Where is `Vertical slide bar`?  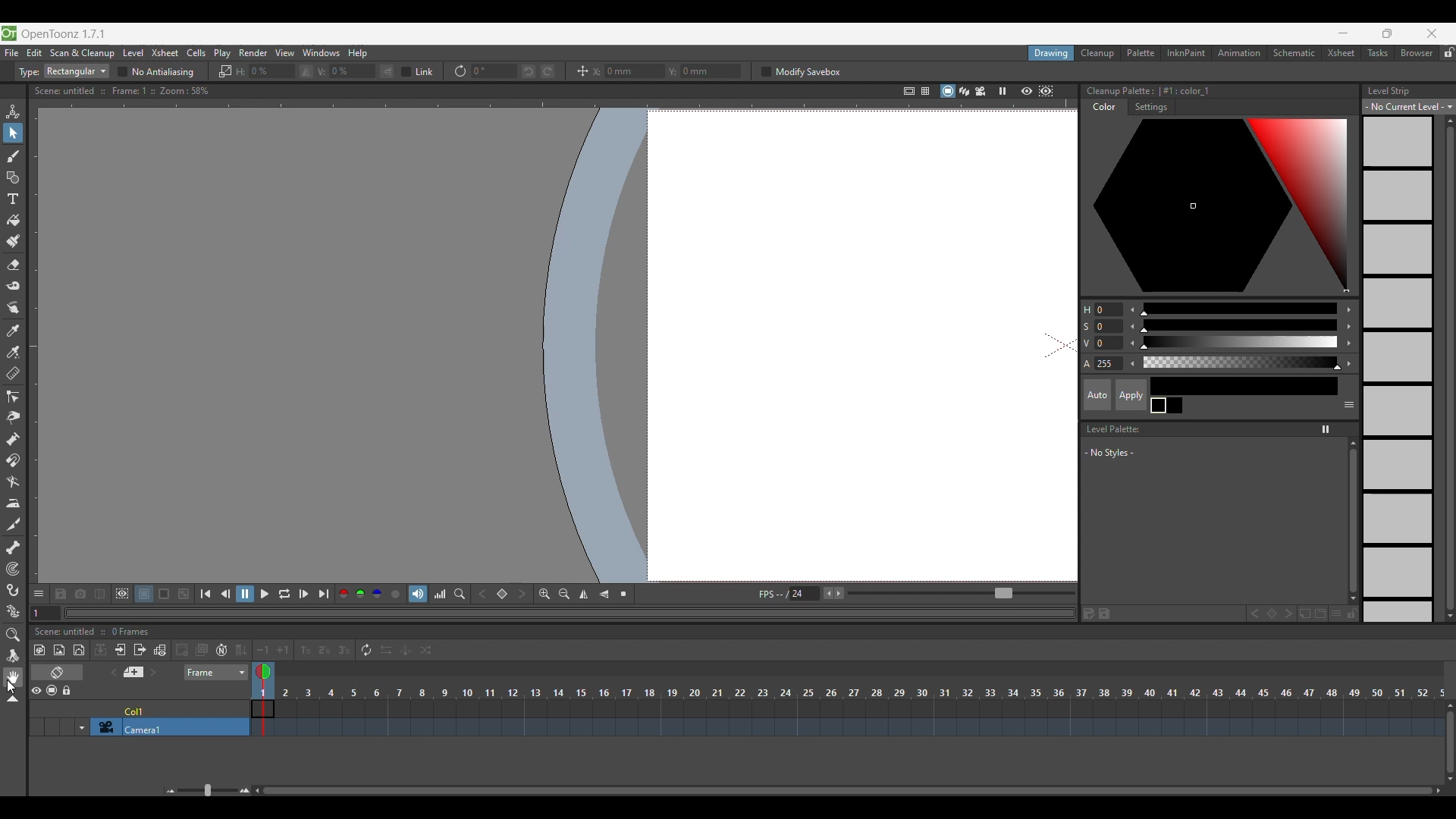
Vertical slide bar is located at coordinates (1449, 369).